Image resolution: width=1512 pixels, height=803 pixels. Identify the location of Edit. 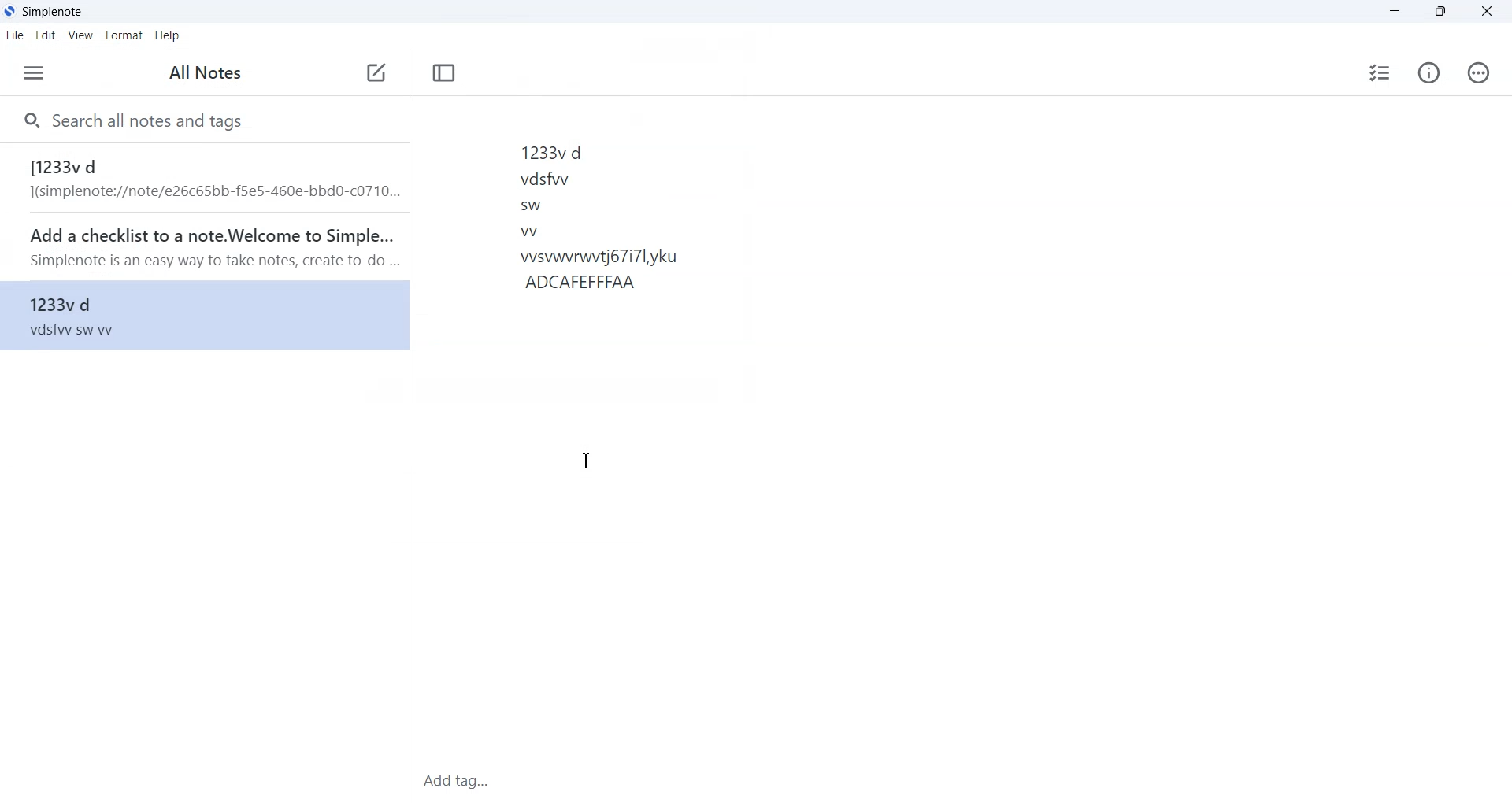
(45, 35).